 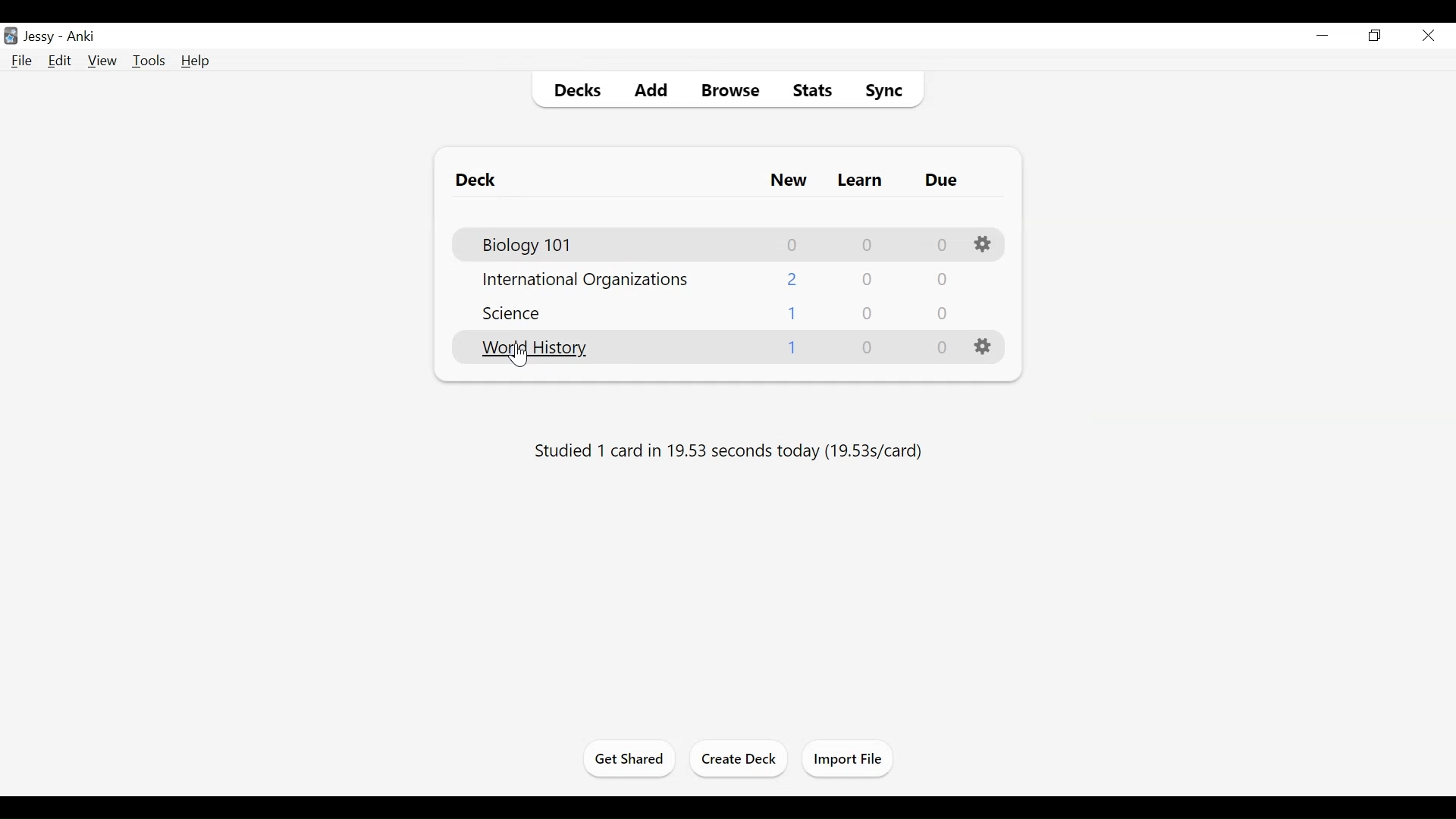 What do you see at coordinates (865, 349) in the screenshot?
I see `Learn Cards Count` at bounding box center [865, 349].